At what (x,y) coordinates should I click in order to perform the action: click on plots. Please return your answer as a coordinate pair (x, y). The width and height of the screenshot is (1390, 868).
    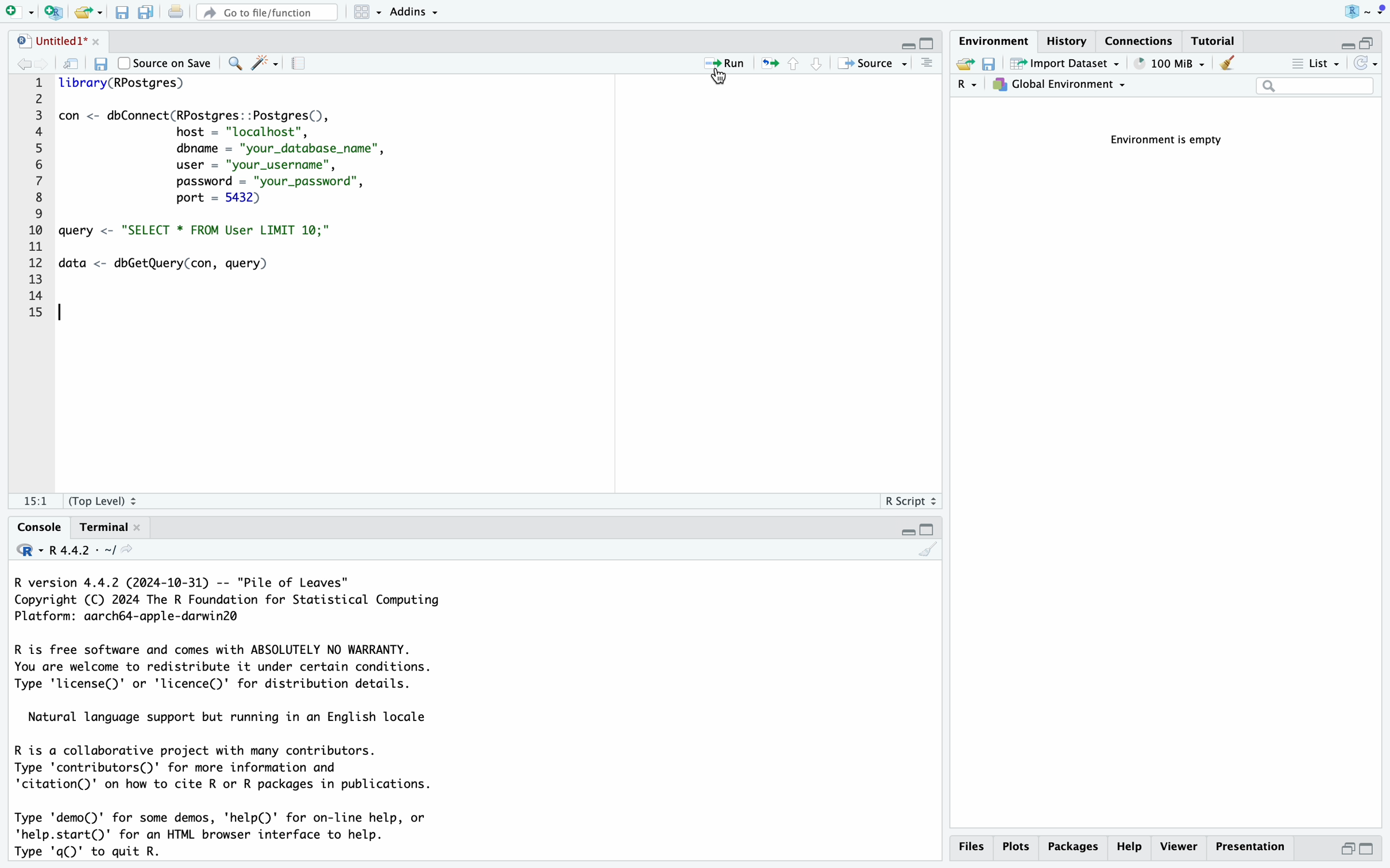
    Looking at the image, I should click on (1016, 847).